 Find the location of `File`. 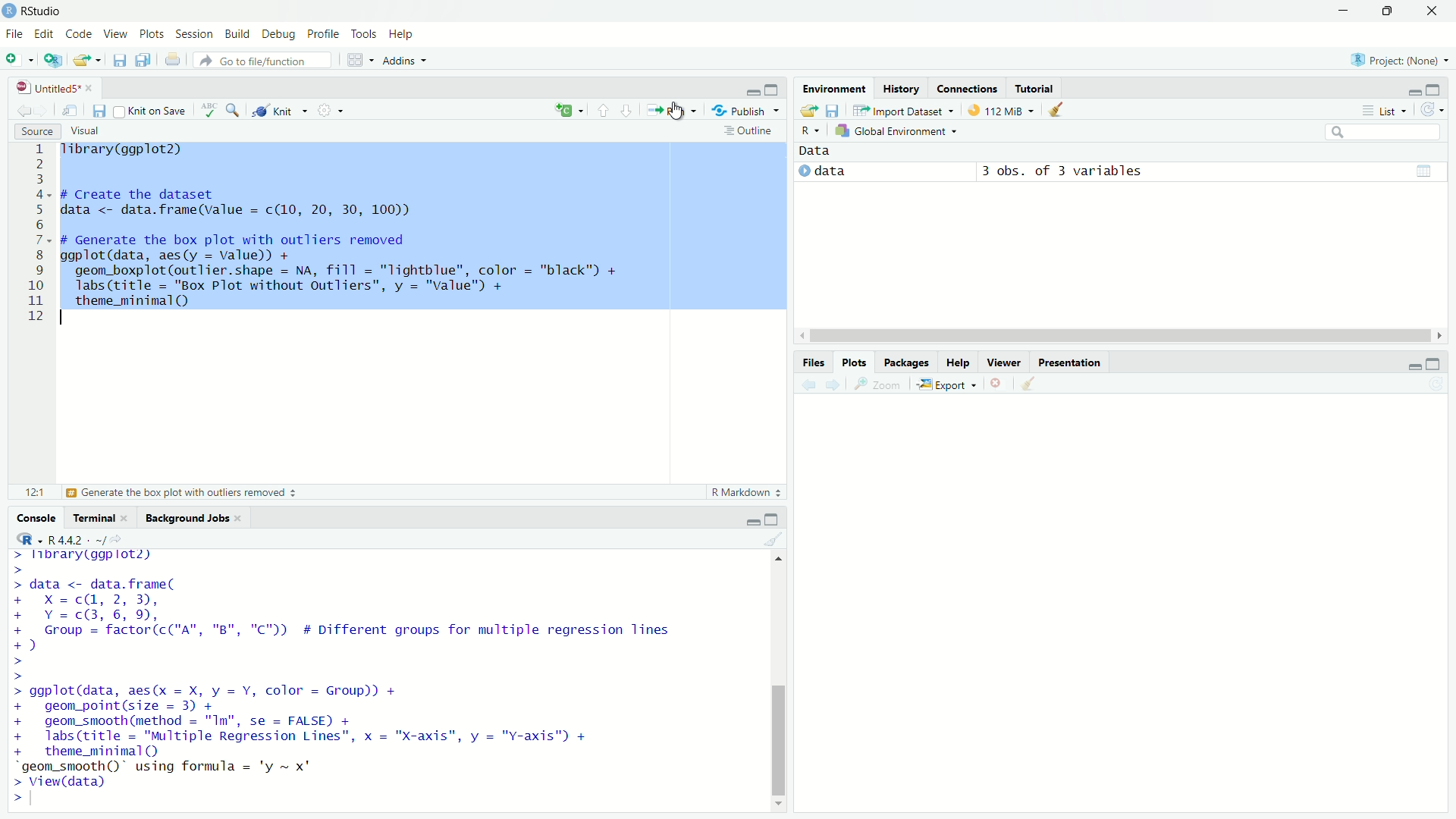

File is located at coordinates (13, 35).